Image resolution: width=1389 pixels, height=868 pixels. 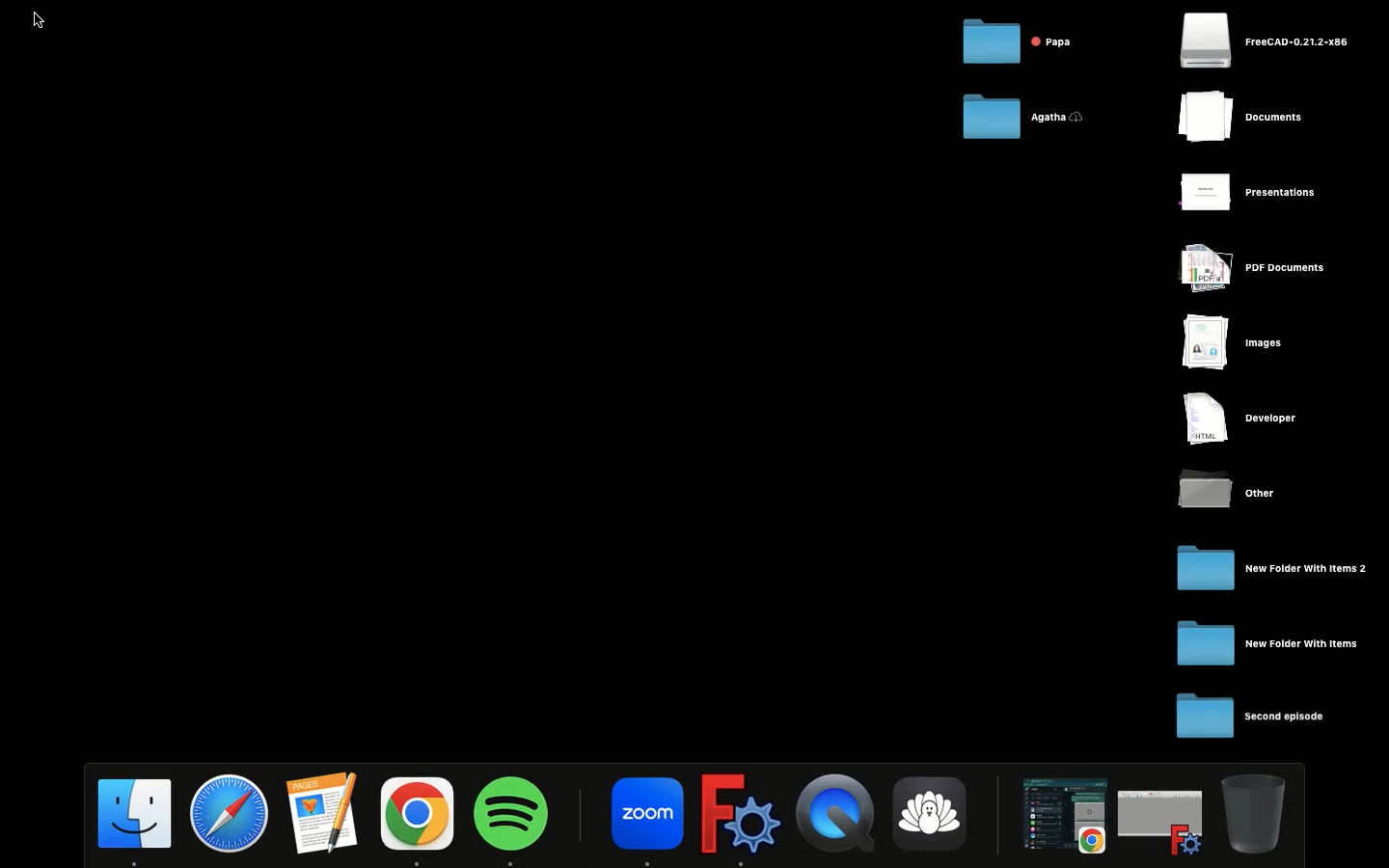 What do you see at coordinates (1021, 41) in the screenshot?
I see `Folder` at bounding box center [1021, 41].